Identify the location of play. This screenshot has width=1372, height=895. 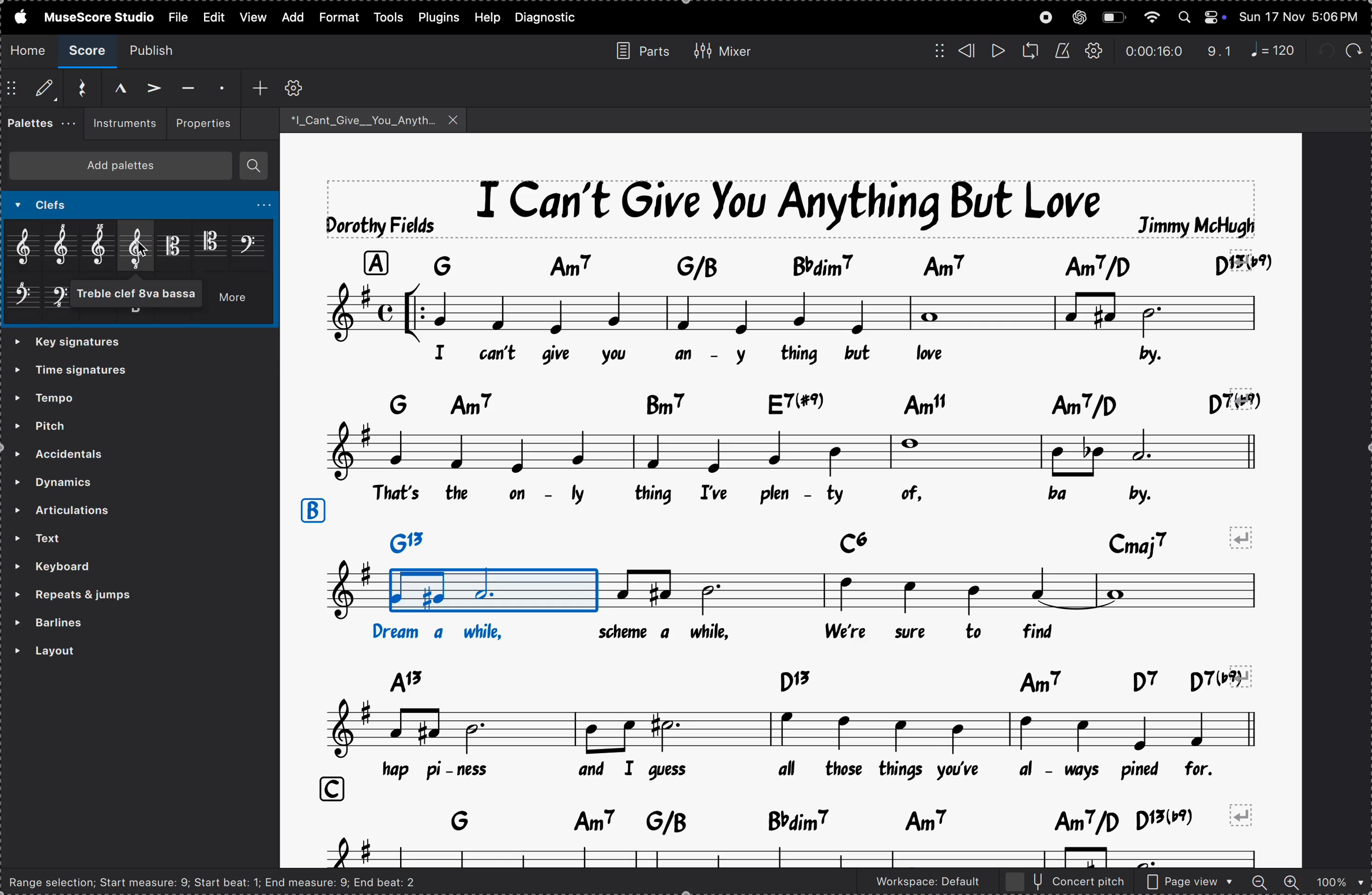
(997, 51).